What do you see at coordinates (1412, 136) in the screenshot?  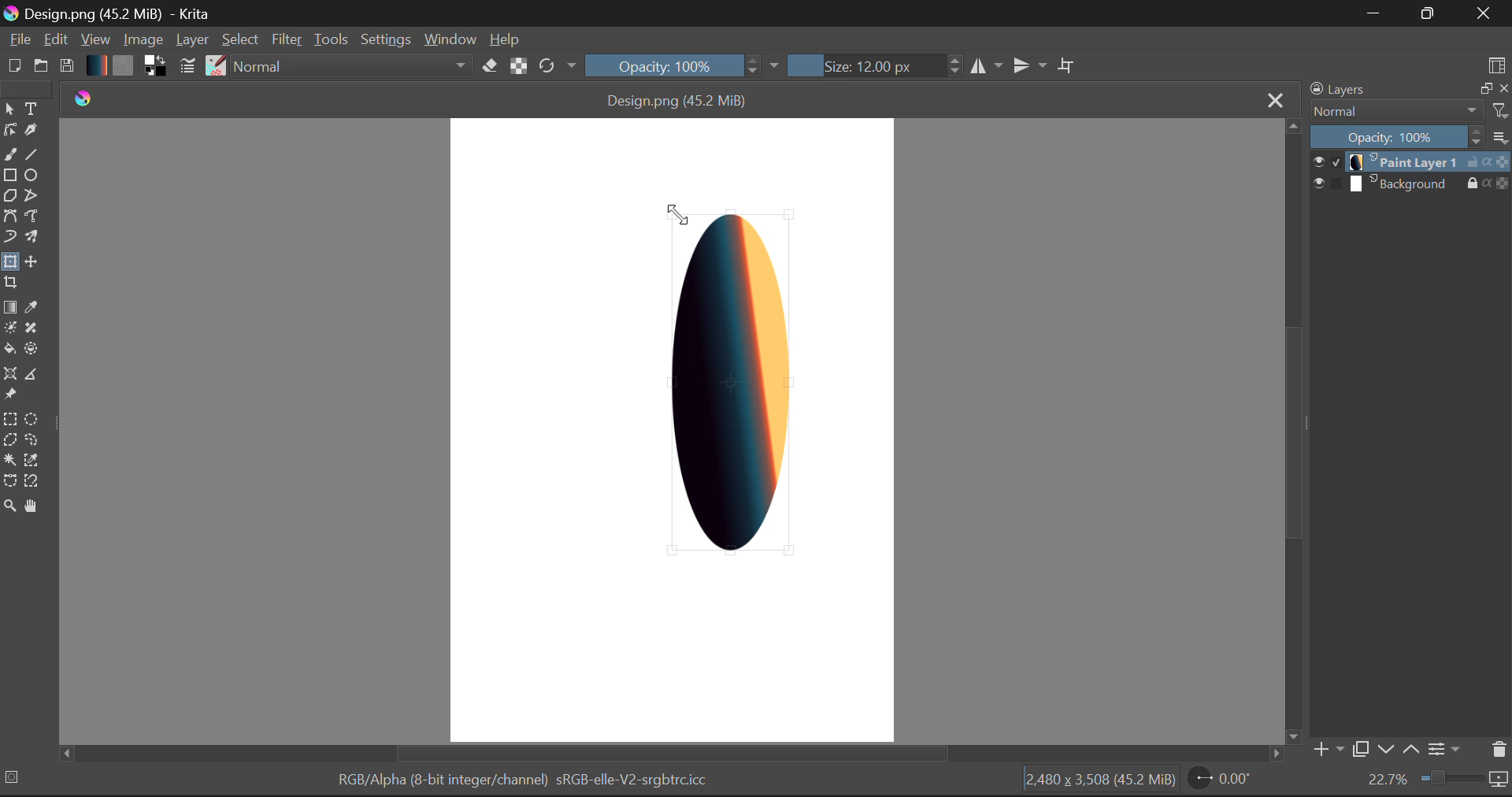 I see `Opacity` at bounding box center [1412, 136].